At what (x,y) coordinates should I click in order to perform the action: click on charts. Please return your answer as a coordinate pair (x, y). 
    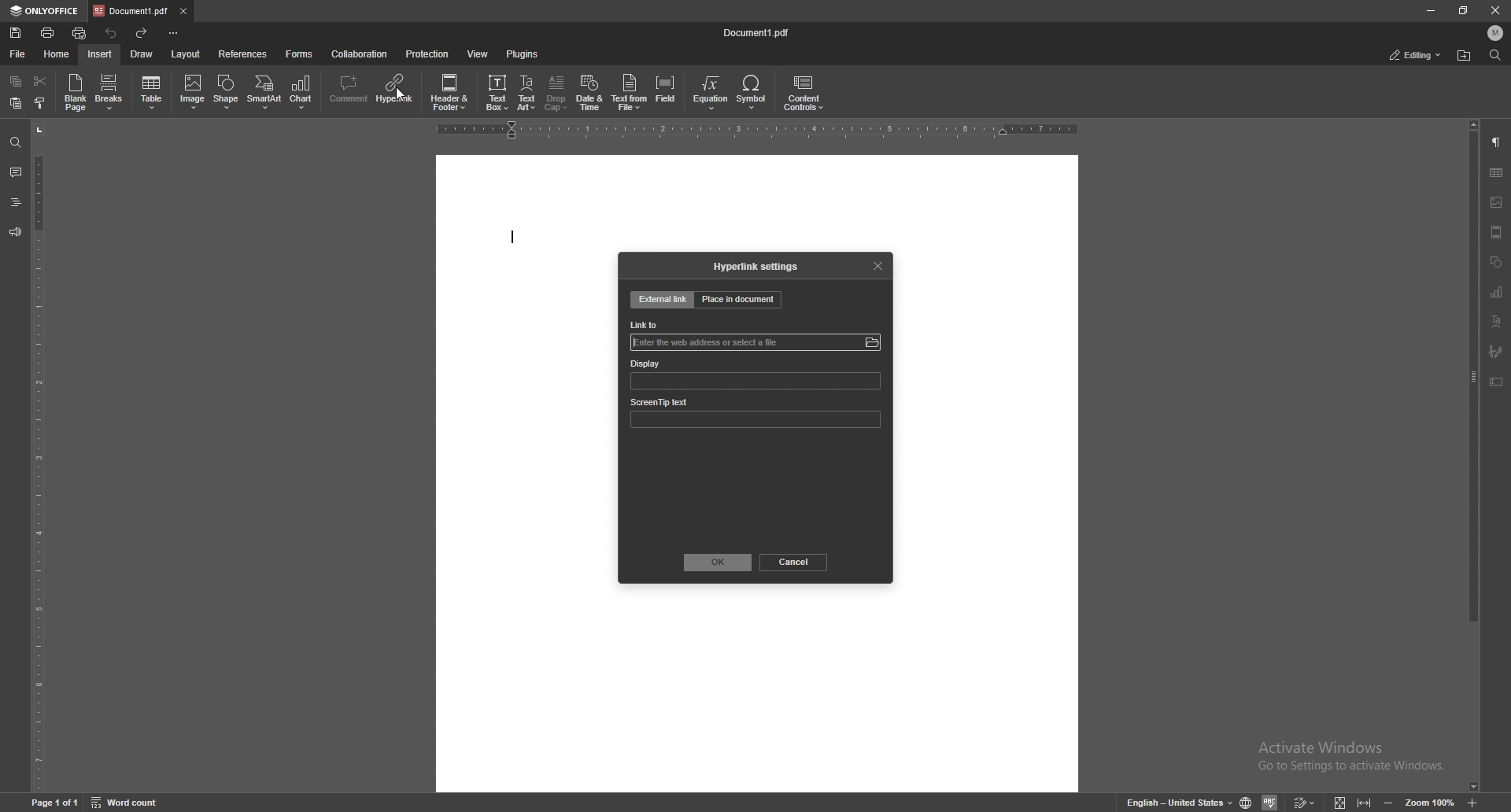
    Looking at the image, I should click on (1498, 291).